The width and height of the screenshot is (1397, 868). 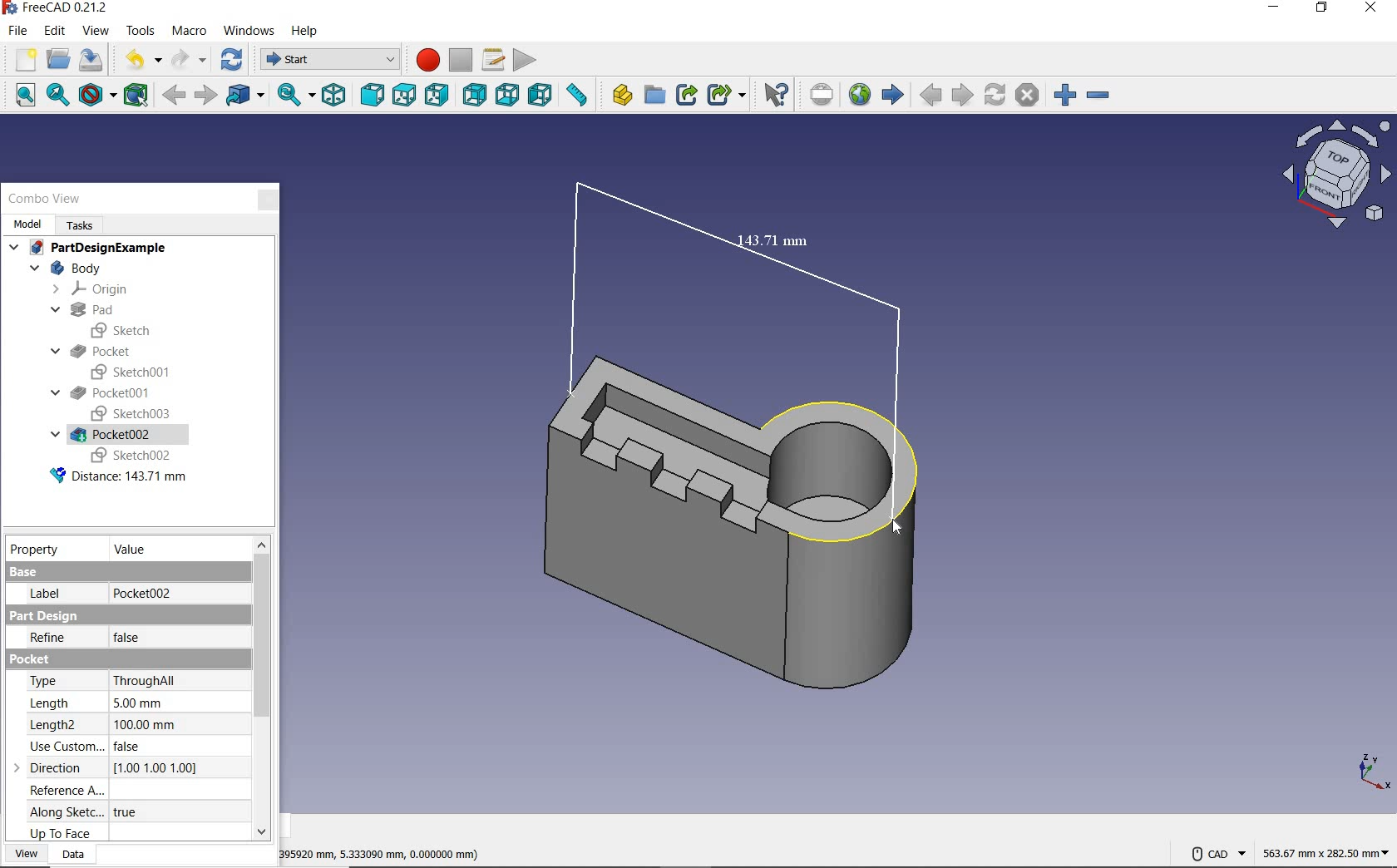 I want to click on file, so click(x=15, y=32).